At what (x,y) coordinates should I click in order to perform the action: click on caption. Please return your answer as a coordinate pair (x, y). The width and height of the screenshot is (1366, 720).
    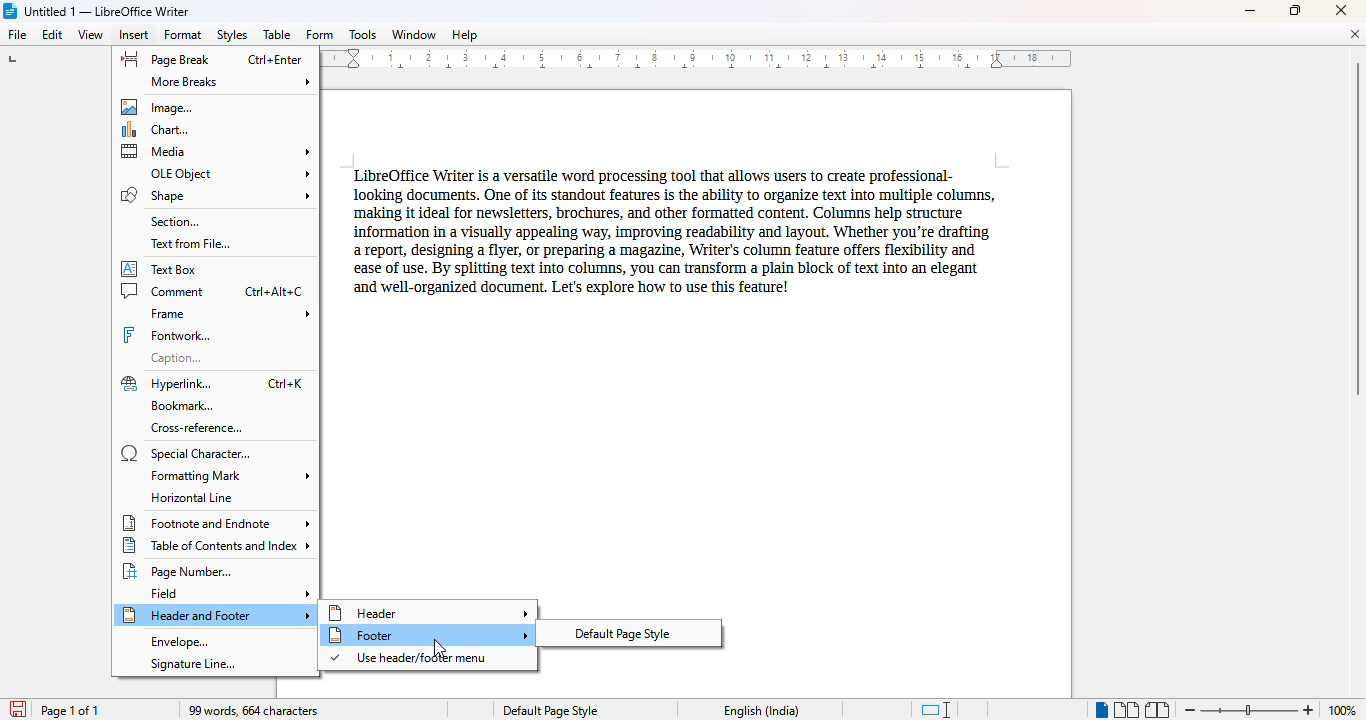
    Looking at the image, I should click on (181, 357).